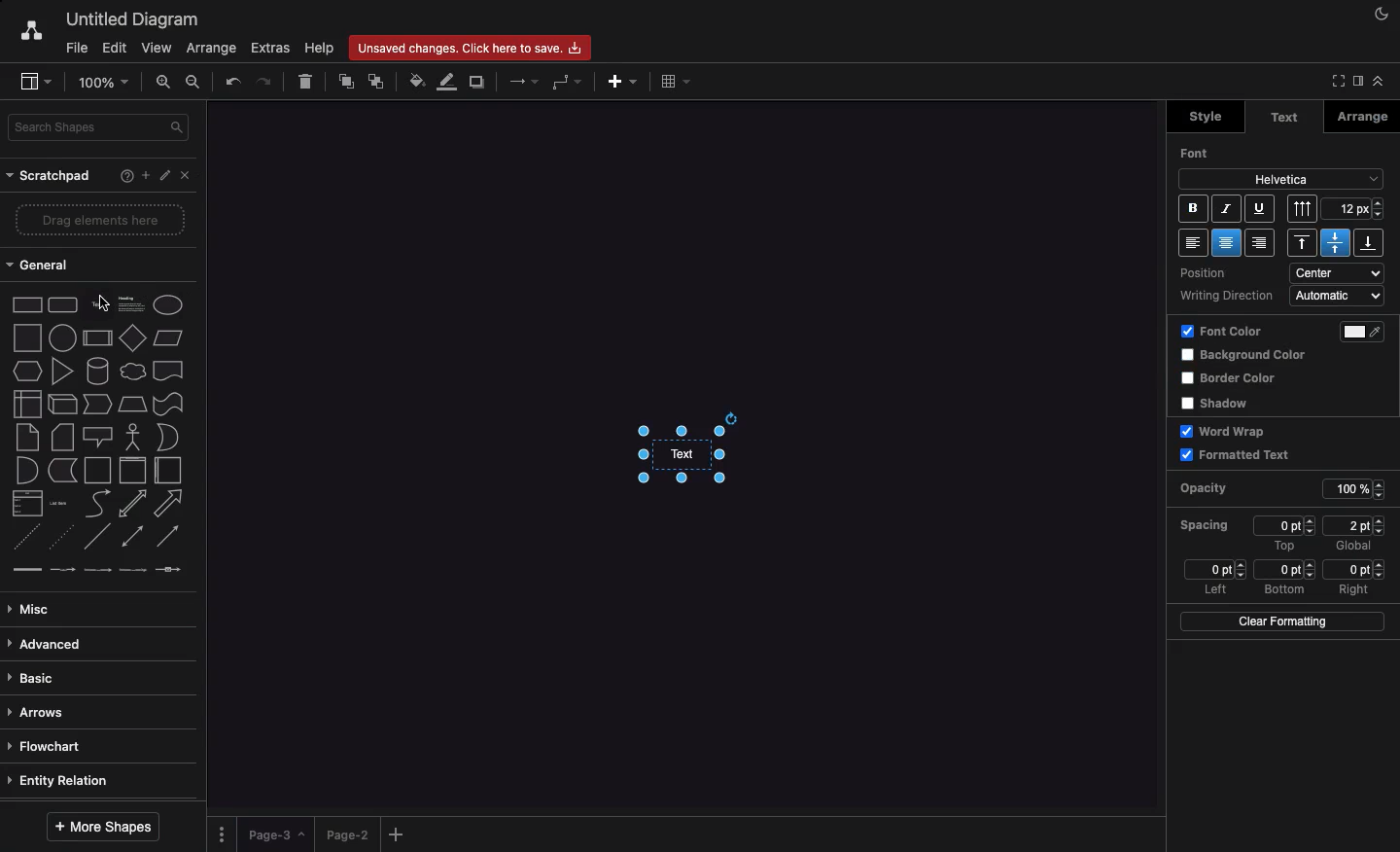 The image size is (1400, 852). Describe the element at coordinates (31, 80) in the screenshot. I see `Sidebar` at that location.